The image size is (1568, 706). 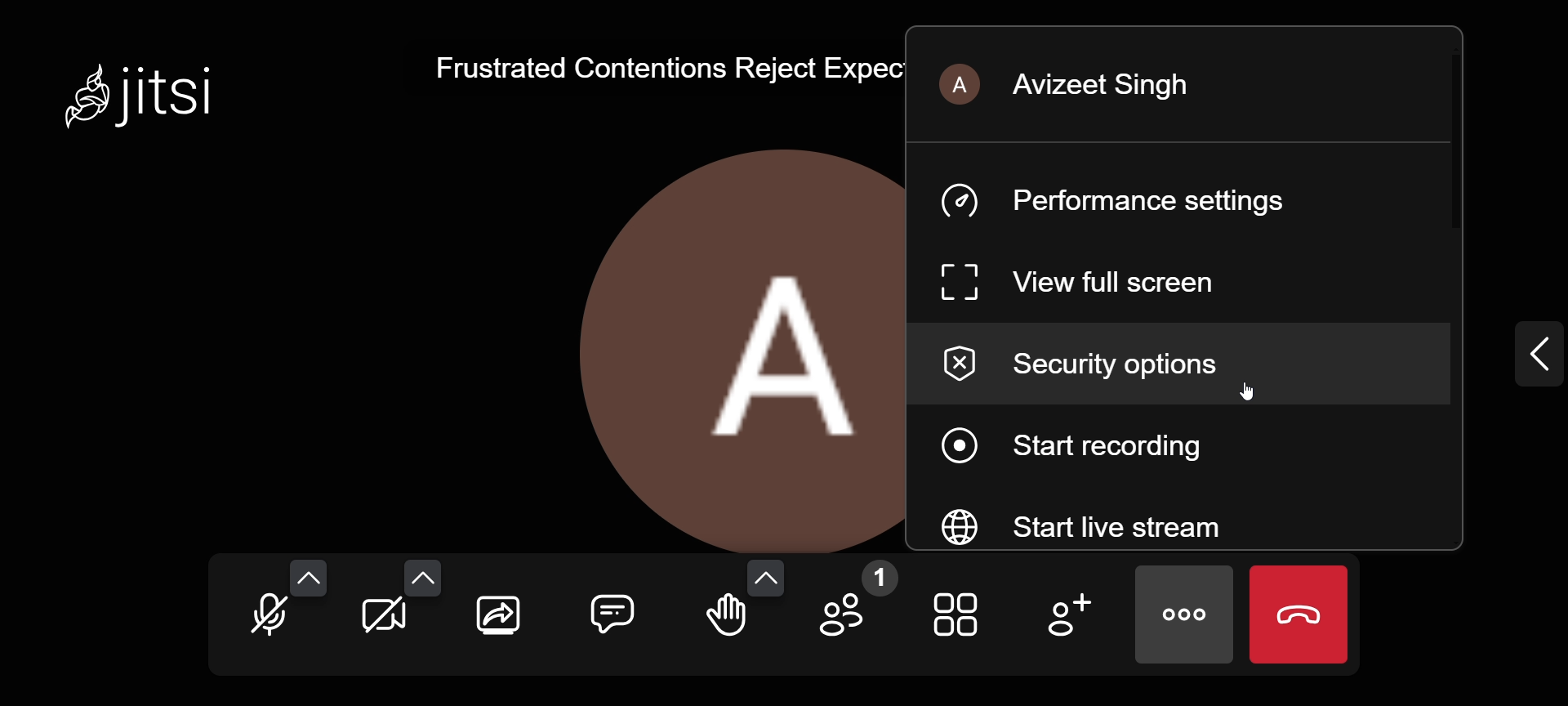 I want to click on more actions, so click(x=1182, y=610).